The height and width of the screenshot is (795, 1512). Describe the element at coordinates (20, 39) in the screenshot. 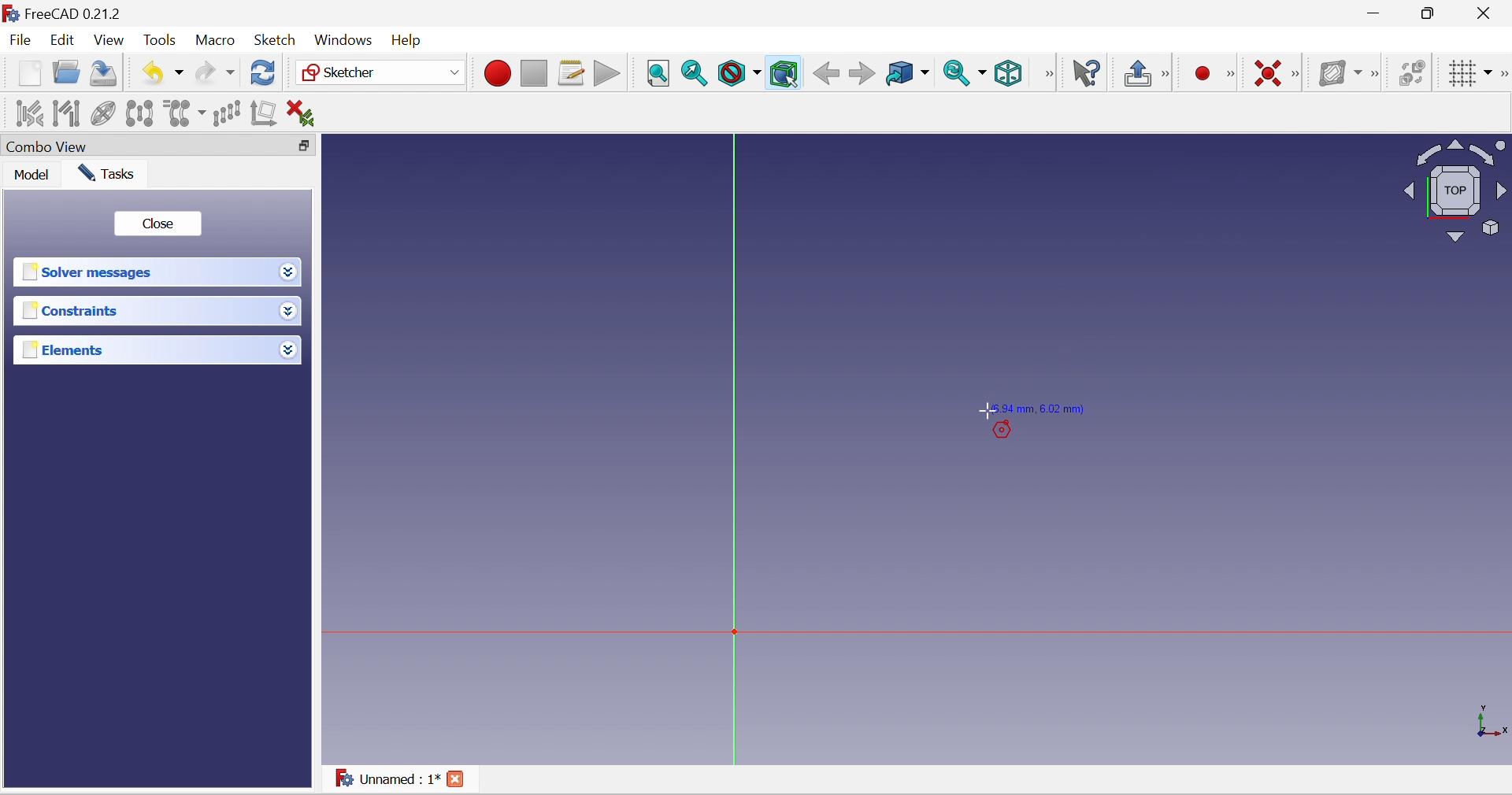

I see `File` at that location.